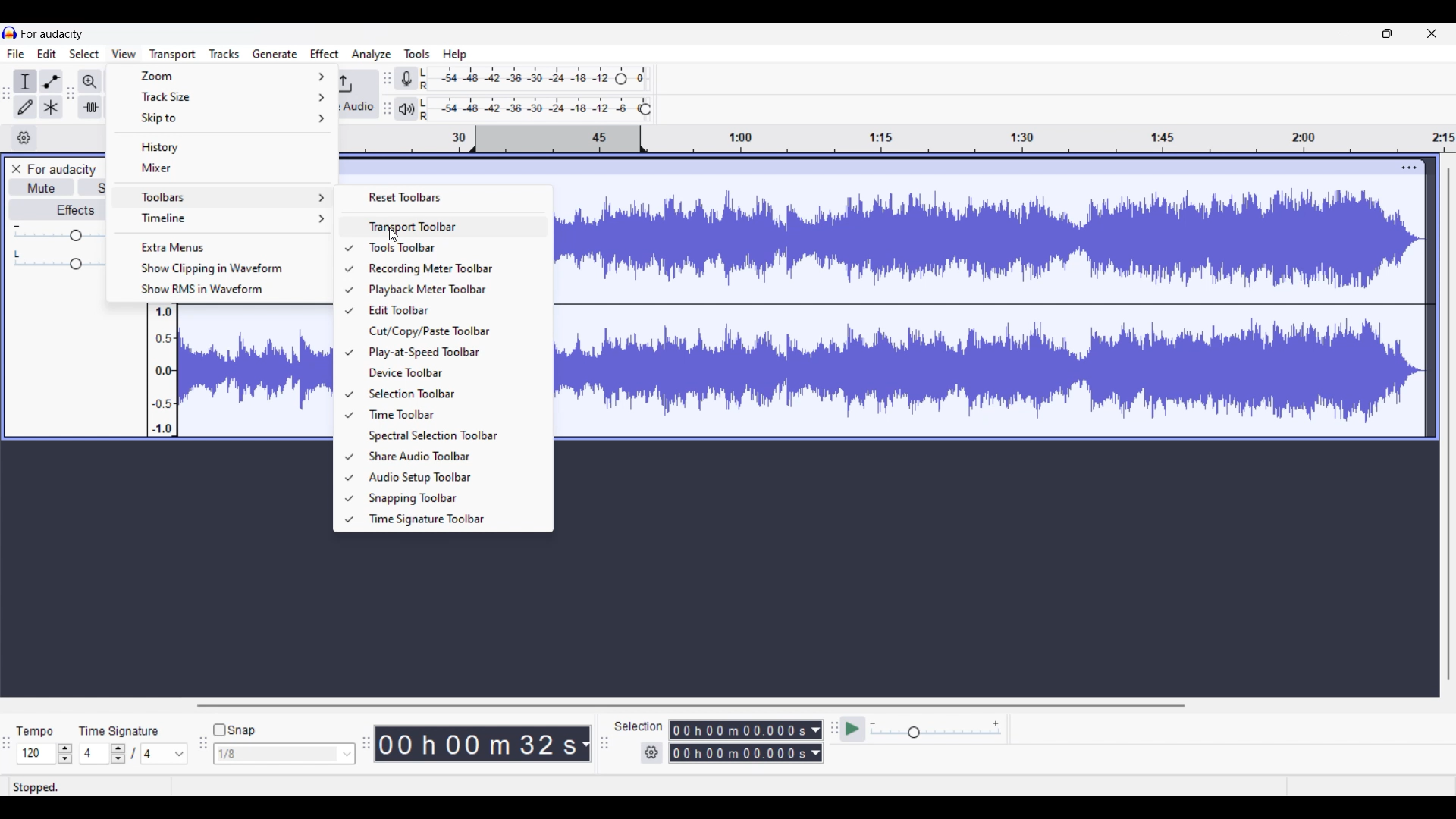 This screenshot has width=1456, height=819. Describe the element at coordinates (476, 743) in the screenshot. I see `Current timestamp of track` at that location.